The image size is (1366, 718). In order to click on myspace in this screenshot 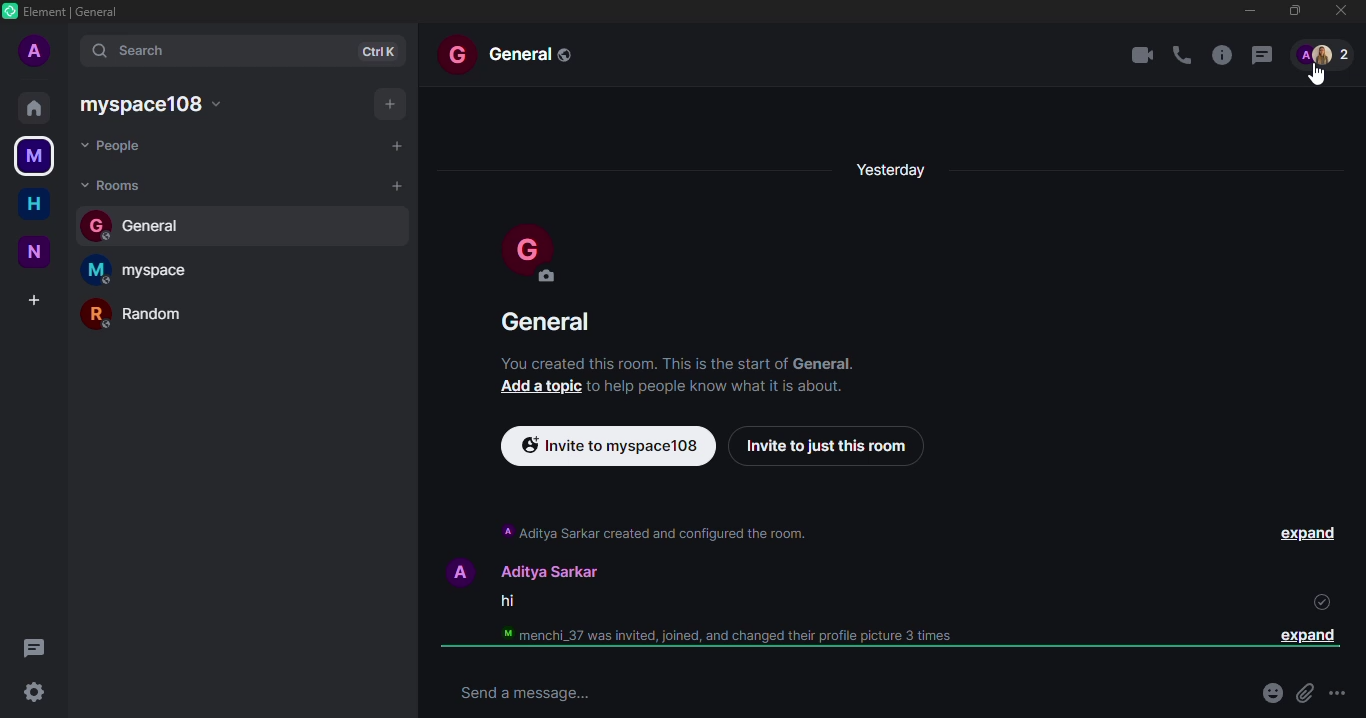, I will do `click(143, 268)`.